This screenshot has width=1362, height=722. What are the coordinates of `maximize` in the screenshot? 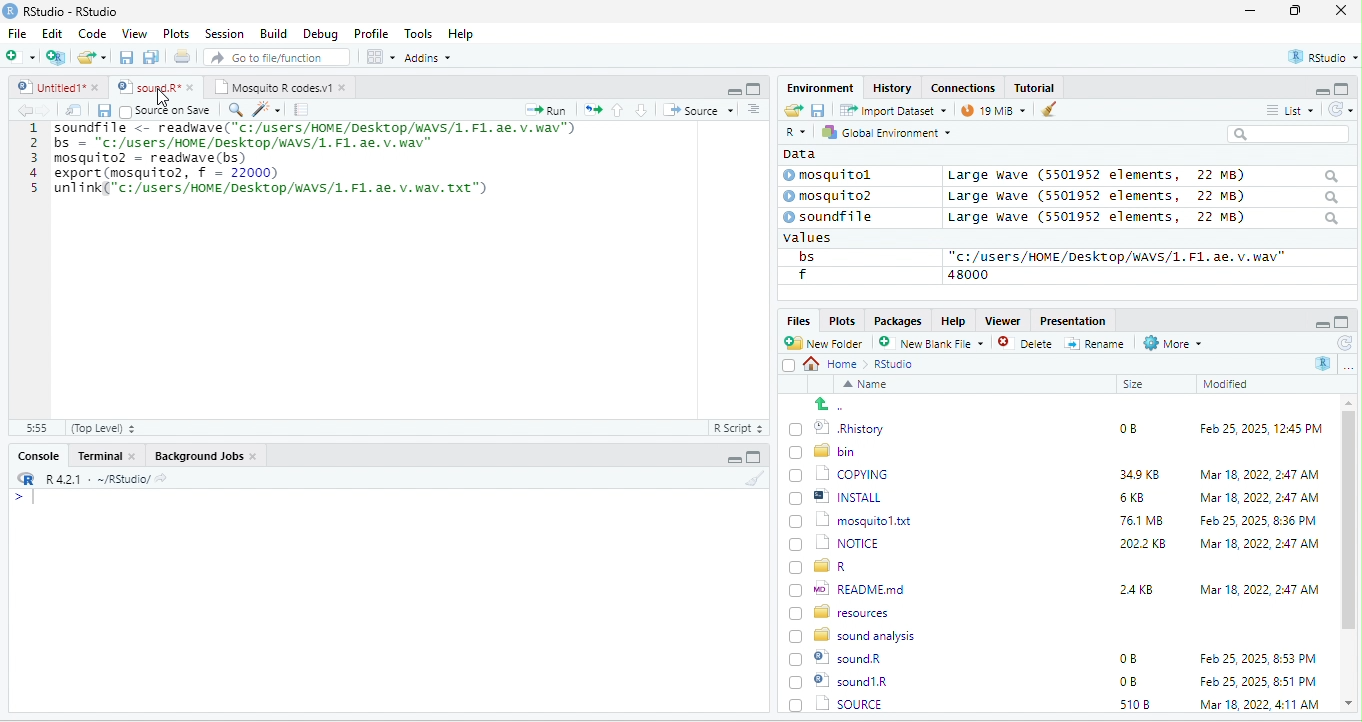 It's located at (1299, 12).